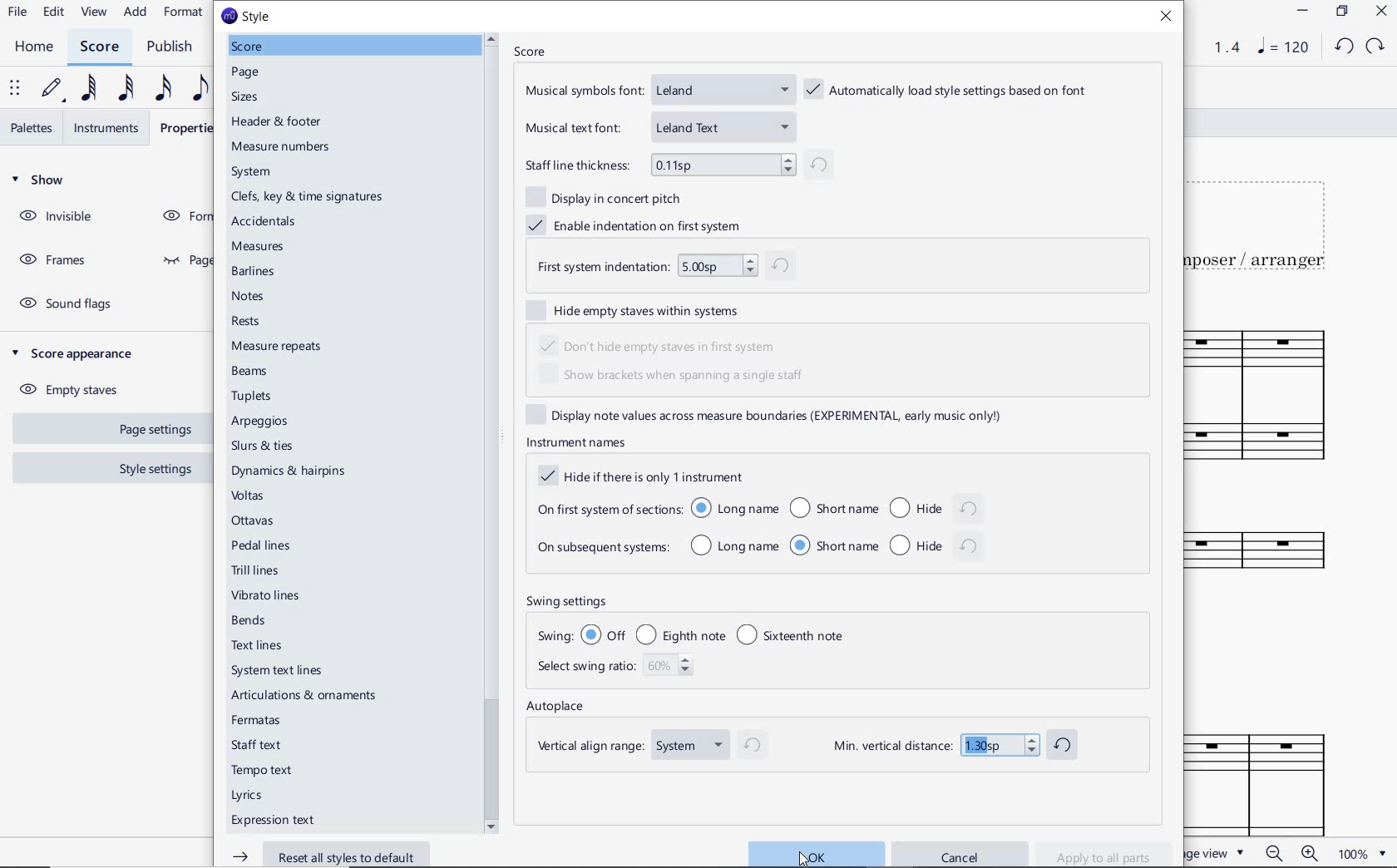  What do you see at coordinates (934, 506) in the screenshot?
I see `hide` at bounding box center [934, 506].